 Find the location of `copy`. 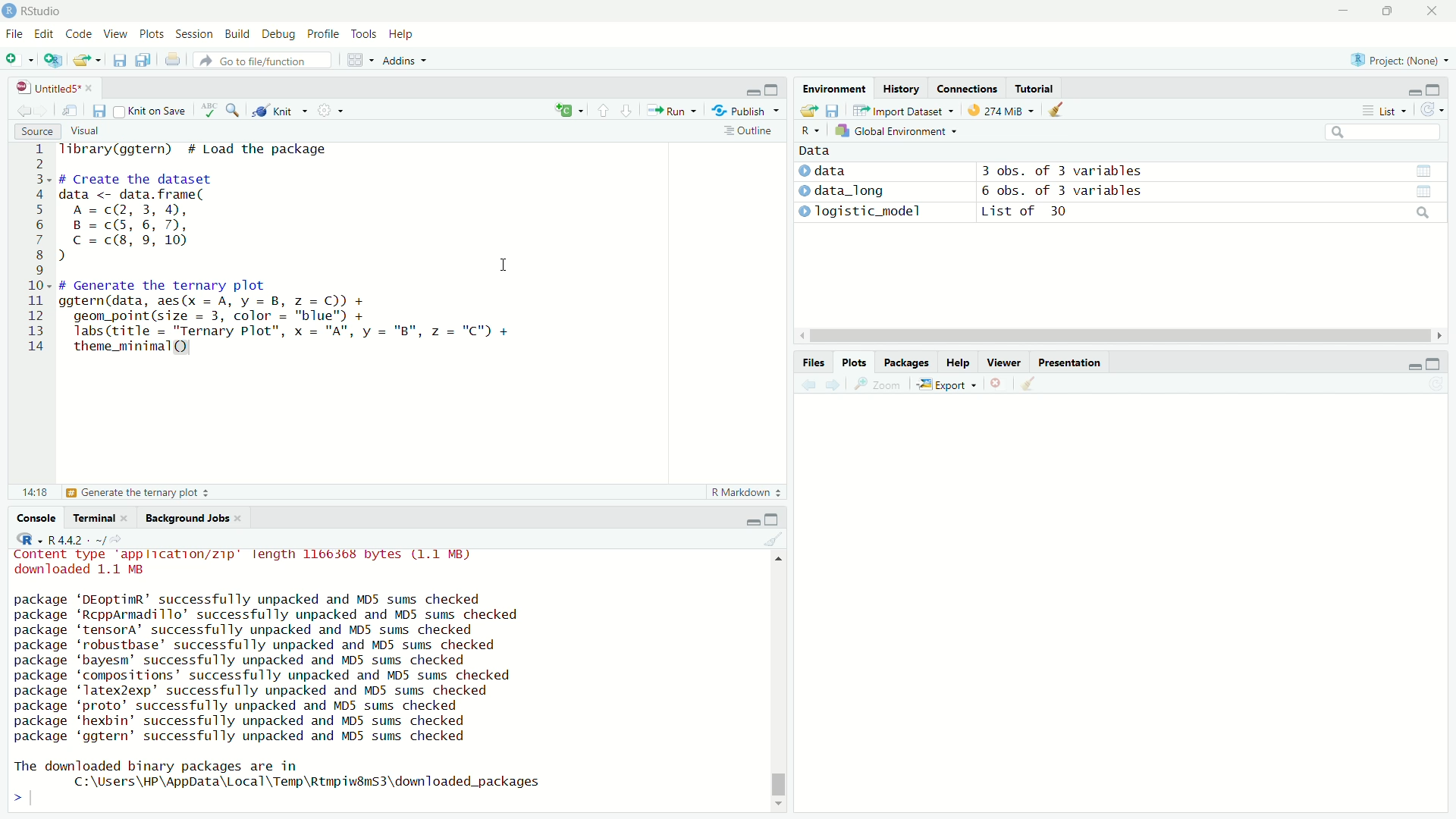

copy is located at coordinates (141, 61).